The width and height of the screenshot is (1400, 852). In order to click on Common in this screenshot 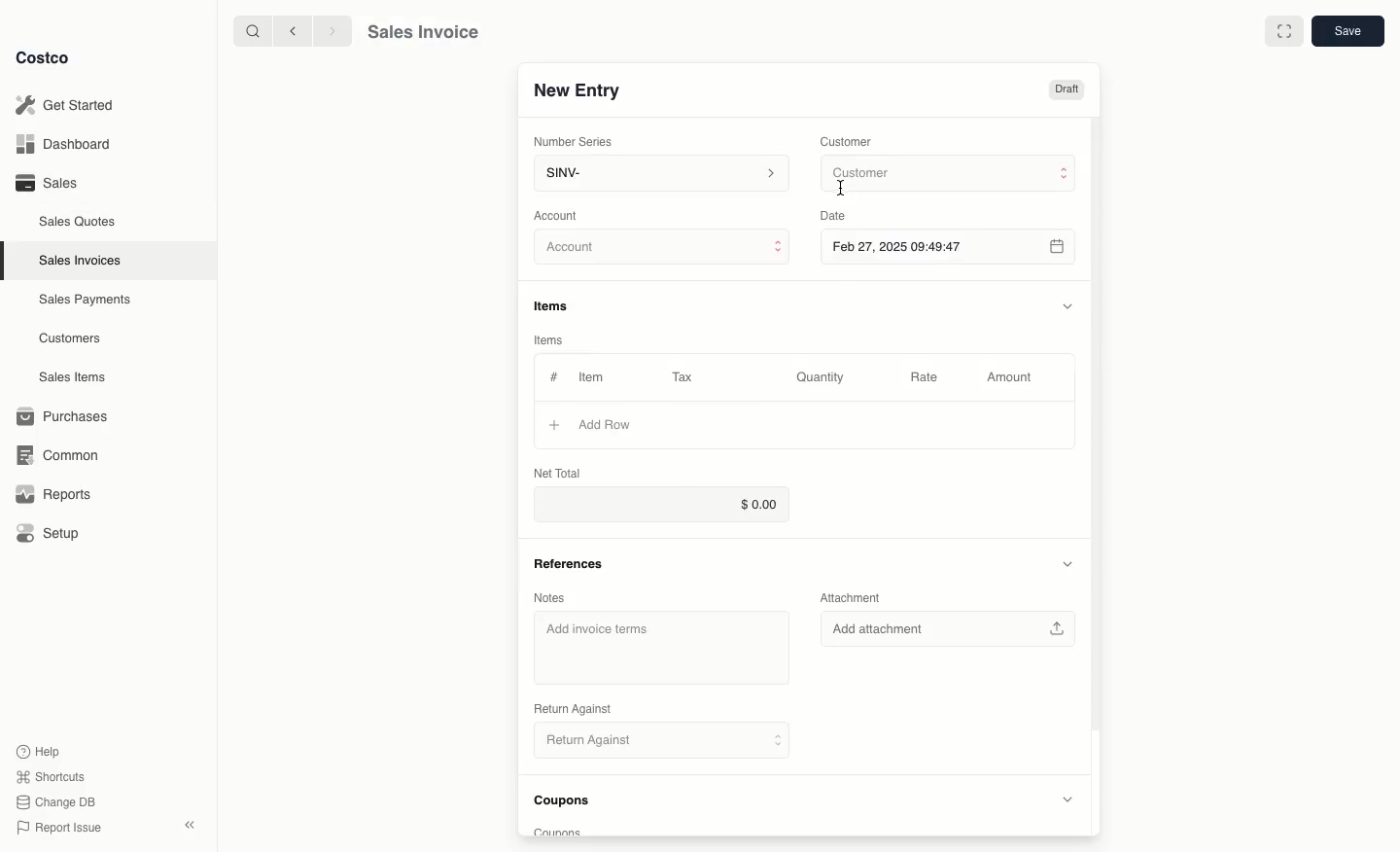, I will do `click(53, 453)`.